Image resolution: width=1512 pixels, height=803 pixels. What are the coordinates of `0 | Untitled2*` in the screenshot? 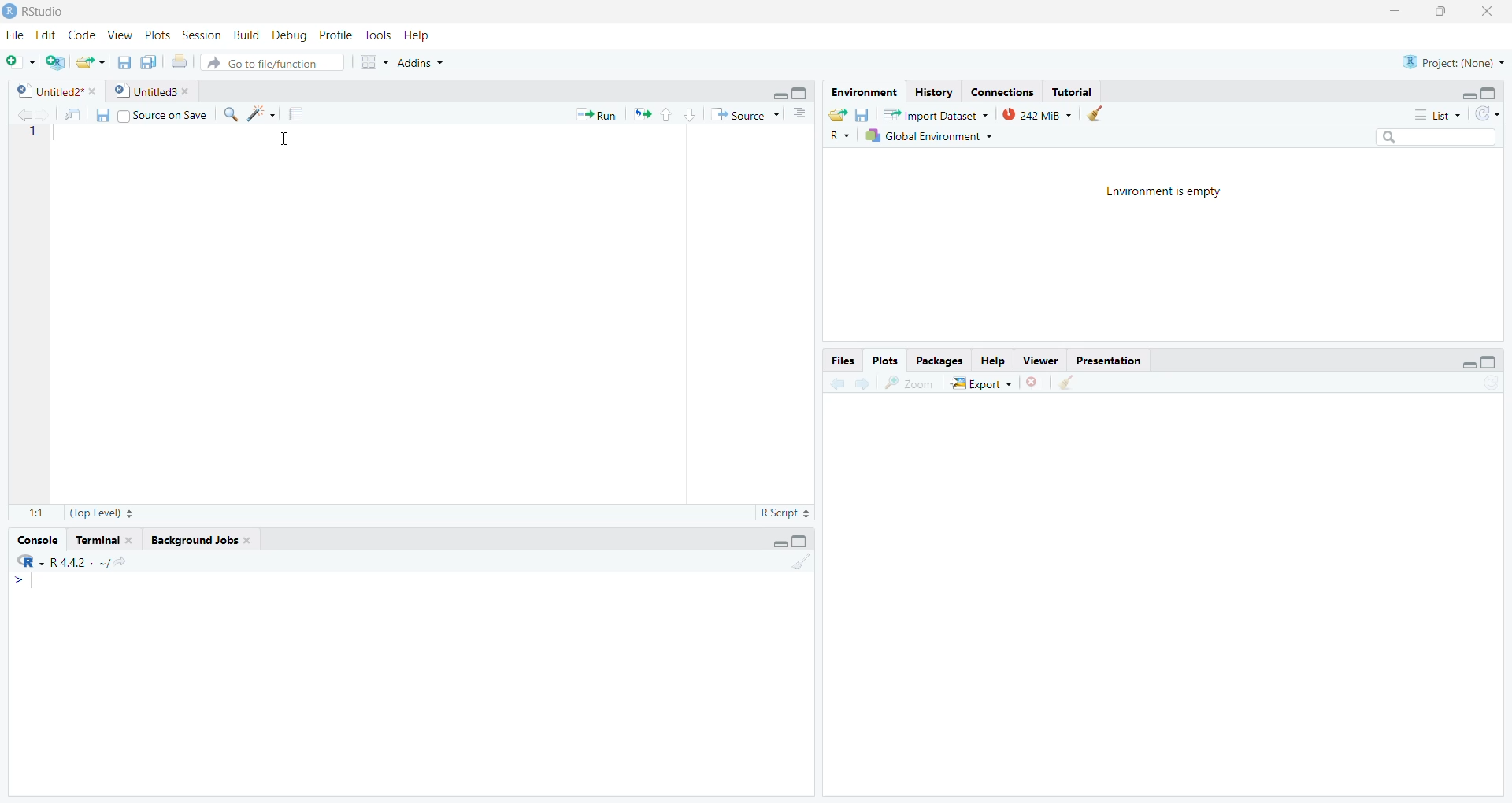 It's located at (54, 91).